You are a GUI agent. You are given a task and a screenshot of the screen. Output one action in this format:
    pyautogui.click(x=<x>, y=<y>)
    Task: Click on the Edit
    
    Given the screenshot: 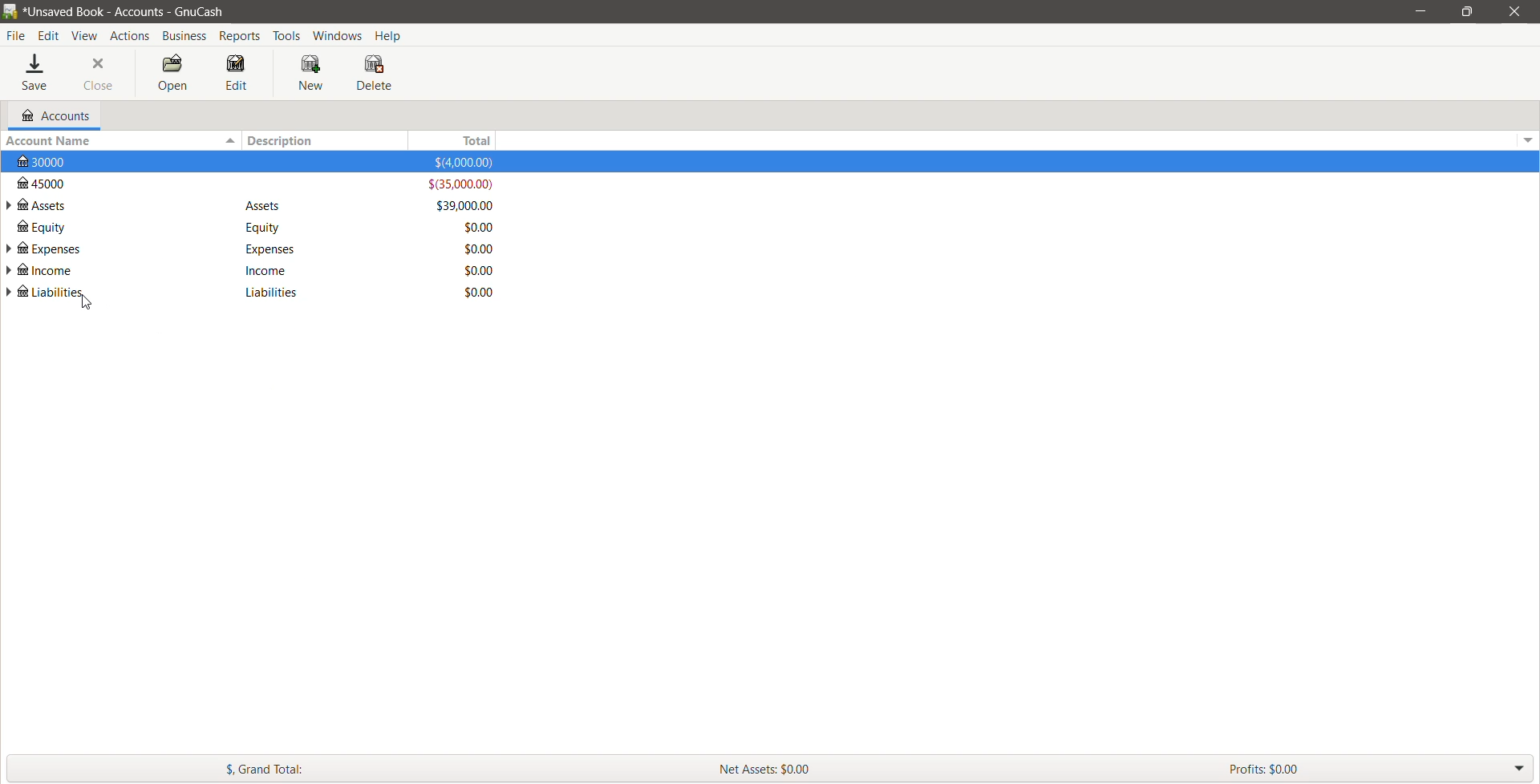 What is the action you would take?
    pyautogui.click(x=237, y=74)
    